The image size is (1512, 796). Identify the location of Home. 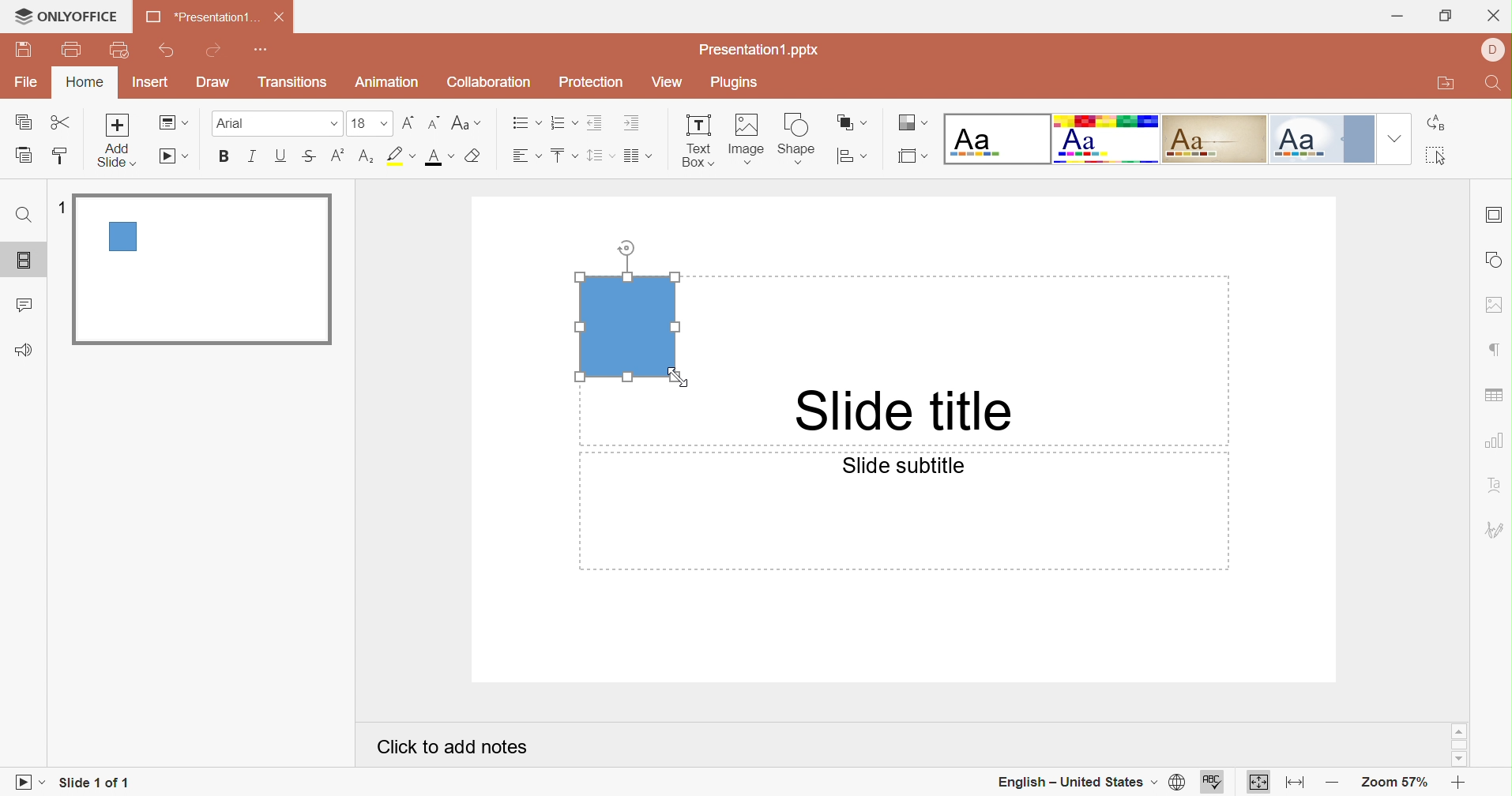
(82, 82).